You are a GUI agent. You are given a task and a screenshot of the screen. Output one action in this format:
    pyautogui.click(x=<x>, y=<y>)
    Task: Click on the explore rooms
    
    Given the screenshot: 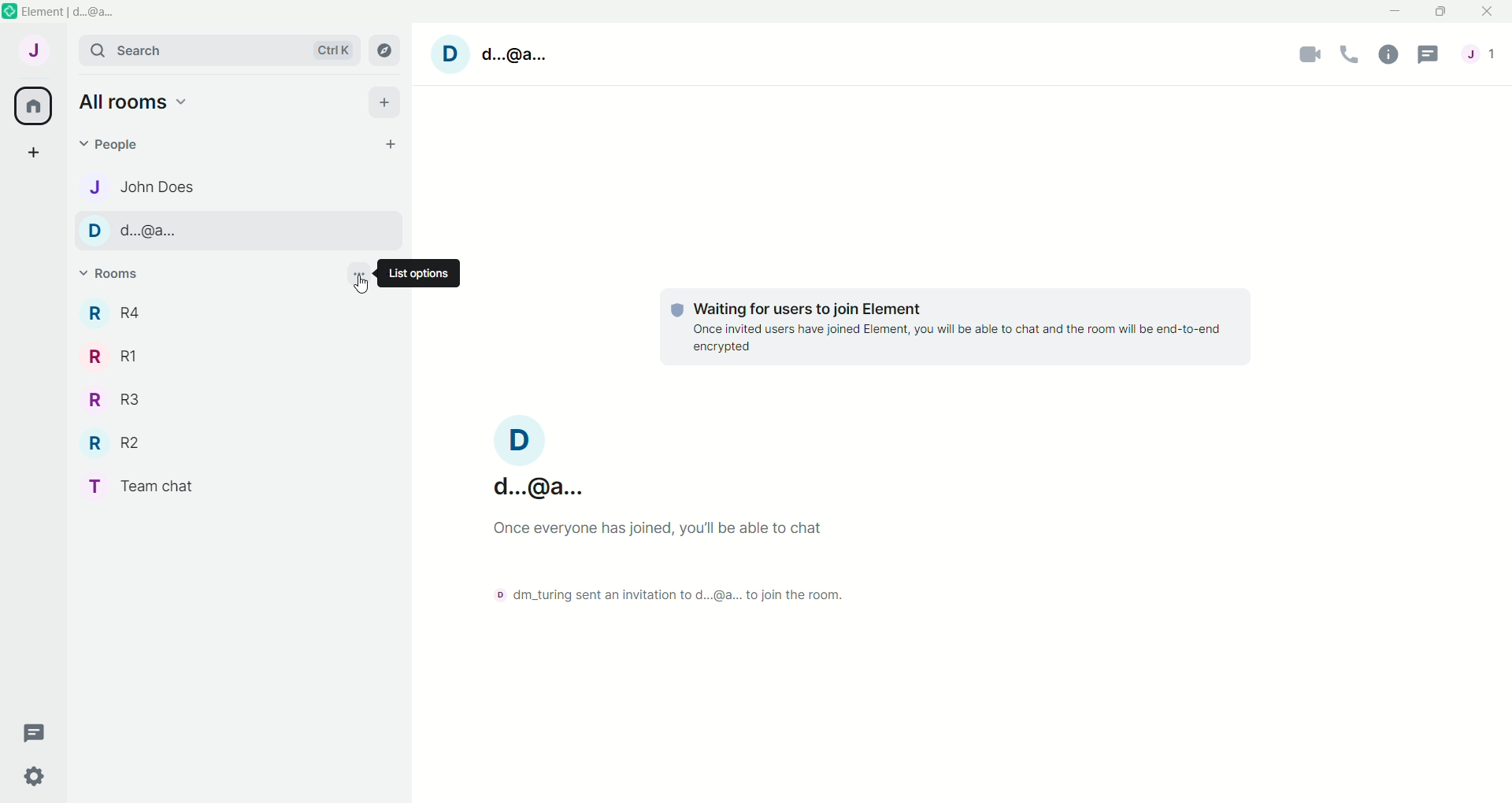 What is the action you would take?
    pyautogui.click(x=384, y=50)
    